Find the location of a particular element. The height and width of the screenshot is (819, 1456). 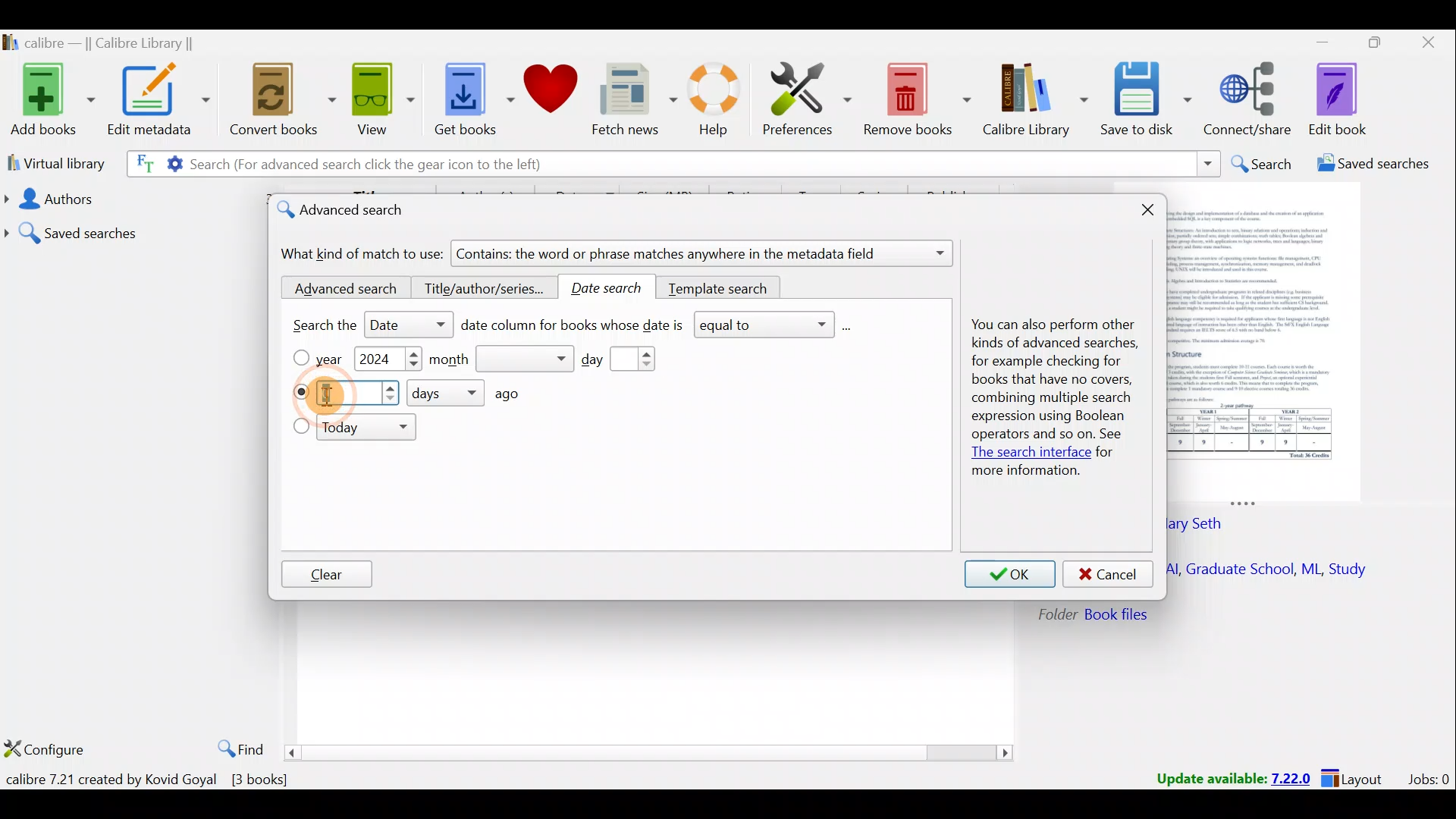

Date column for books whose date is is located at coordinates (573, 328).